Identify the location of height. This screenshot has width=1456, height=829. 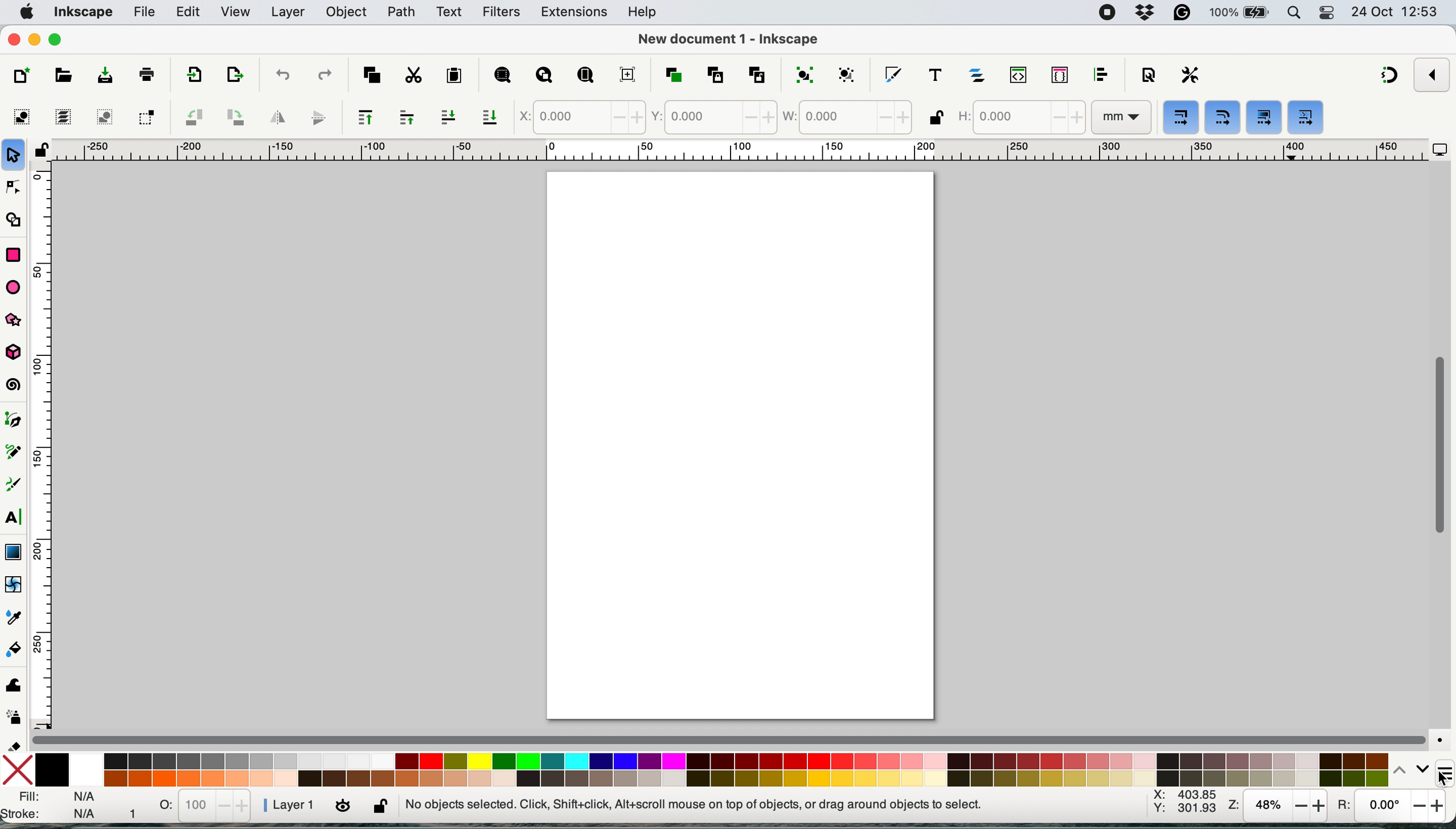
(1020, 115).